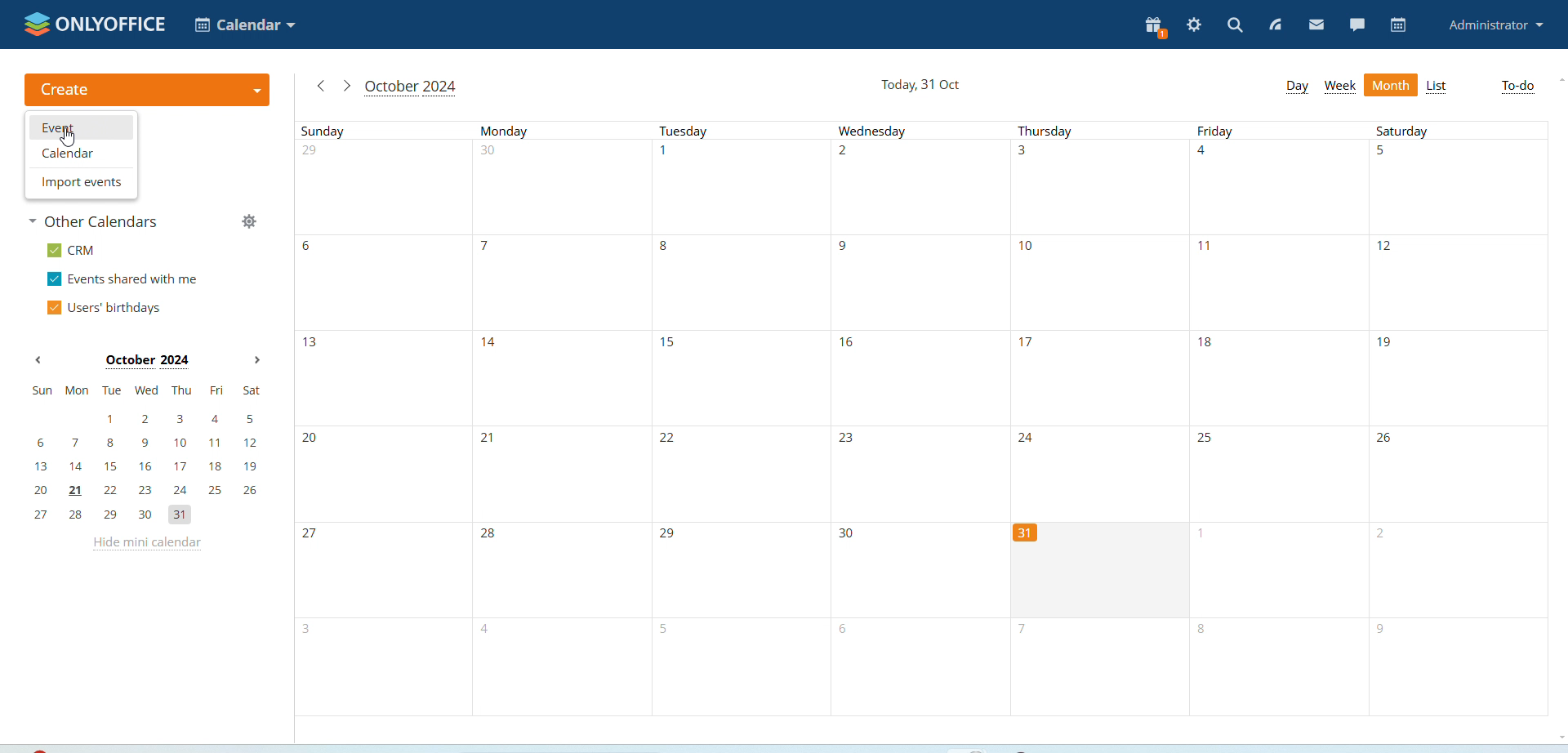 The image size is (1568, 753). I want to click on events shared with me, so click(121, 278).